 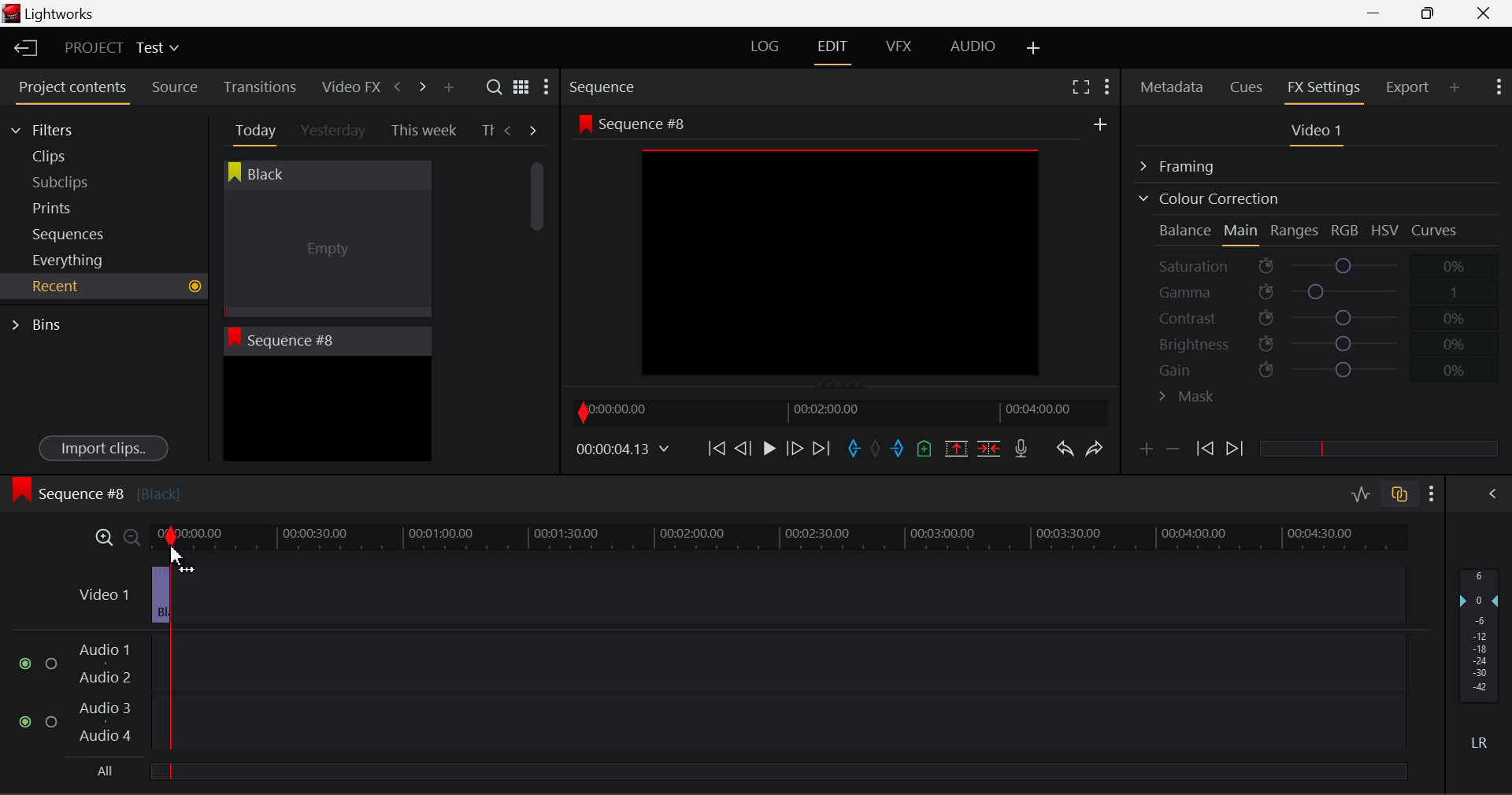 What do you see at coordinates (1203, 449) in the screenshot?
I see `Previous keyframe` at bounding box center [1203, 449].